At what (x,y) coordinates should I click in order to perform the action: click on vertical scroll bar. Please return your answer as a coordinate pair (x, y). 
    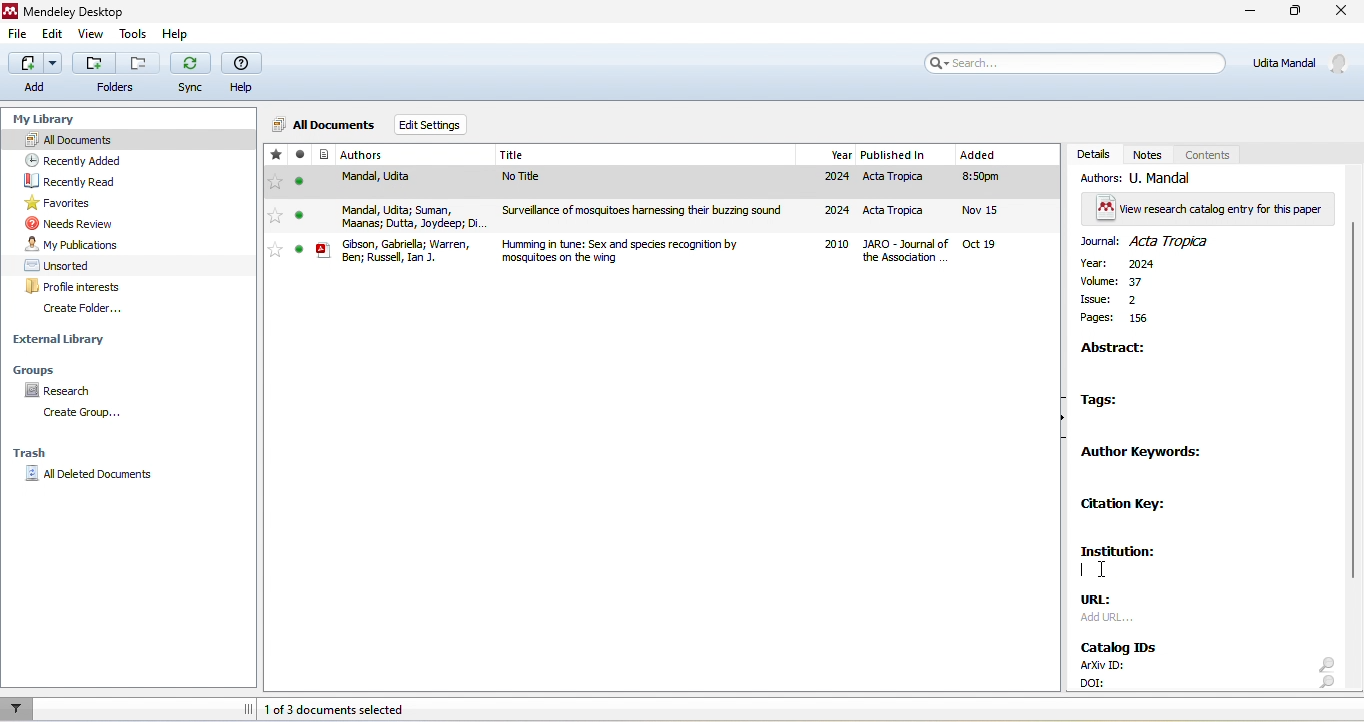
    Looking at the image, I should click on (1352, 403).